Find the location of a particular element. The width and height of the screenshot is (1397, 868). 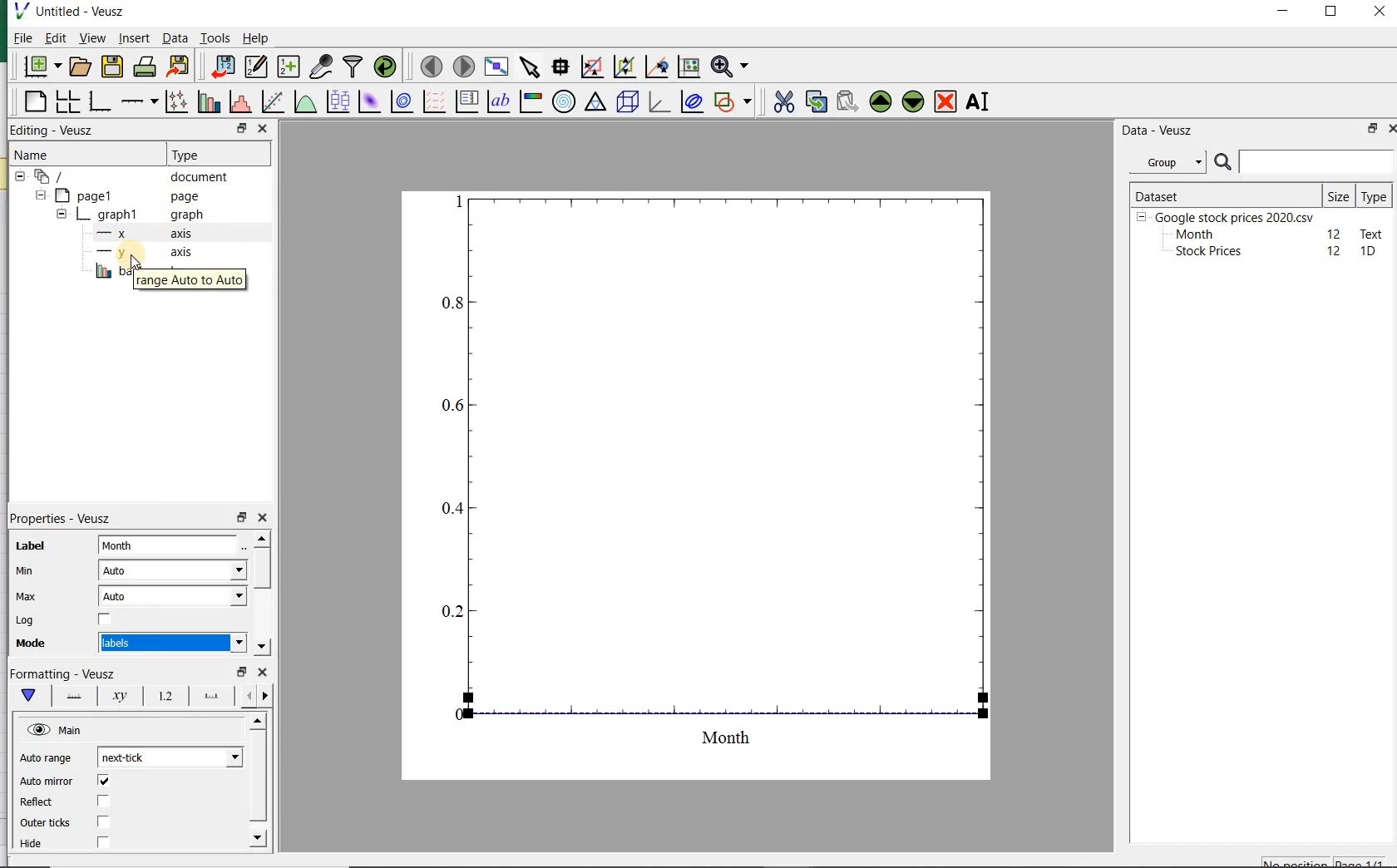

check/uncheck is located at coordinates (104, 622).